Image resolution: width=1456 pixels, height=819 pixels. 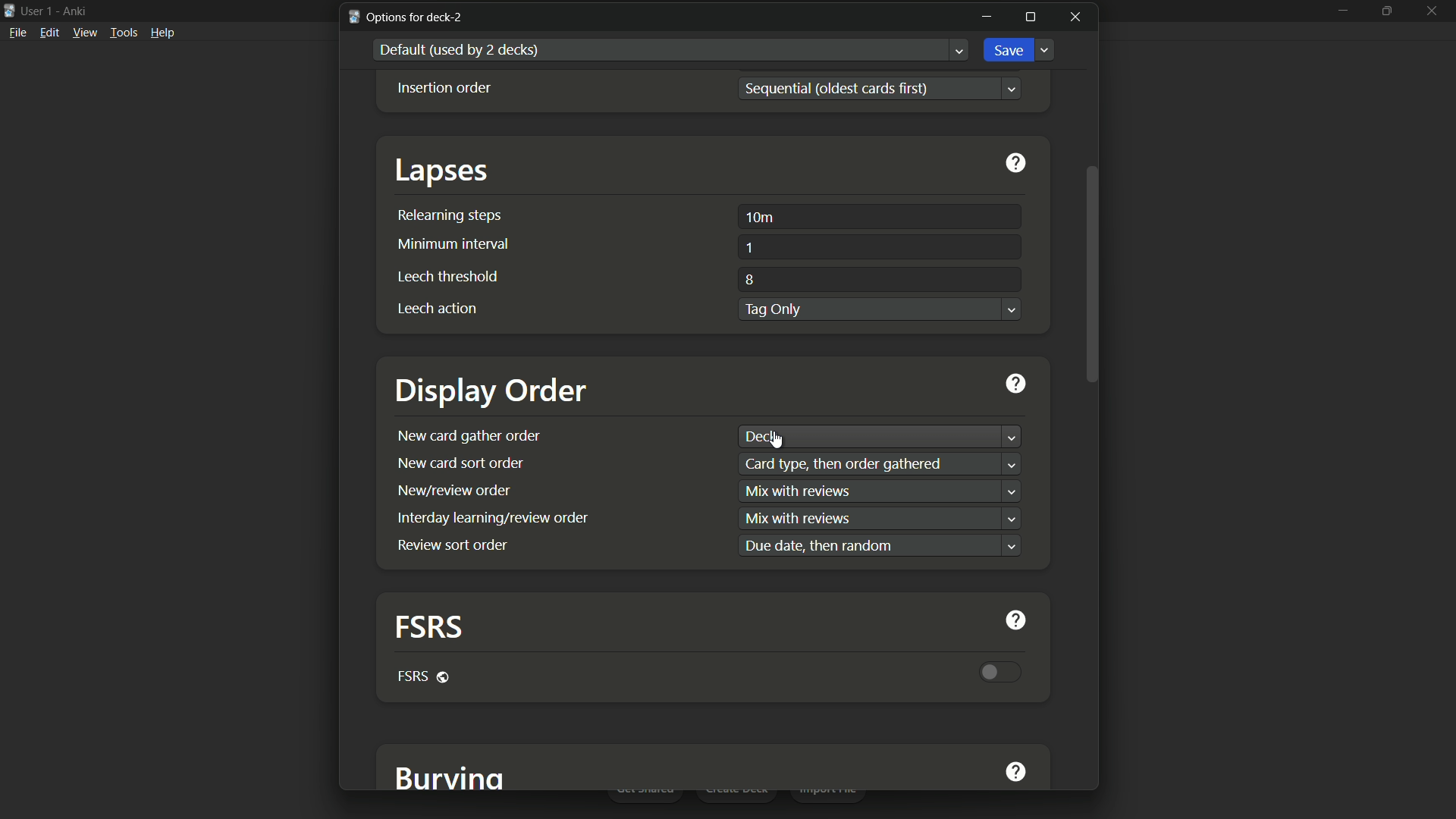 What do you see at coordinates (425, 676) in the screenshot?
I see `fsrs` at bounding box center [425, 676].